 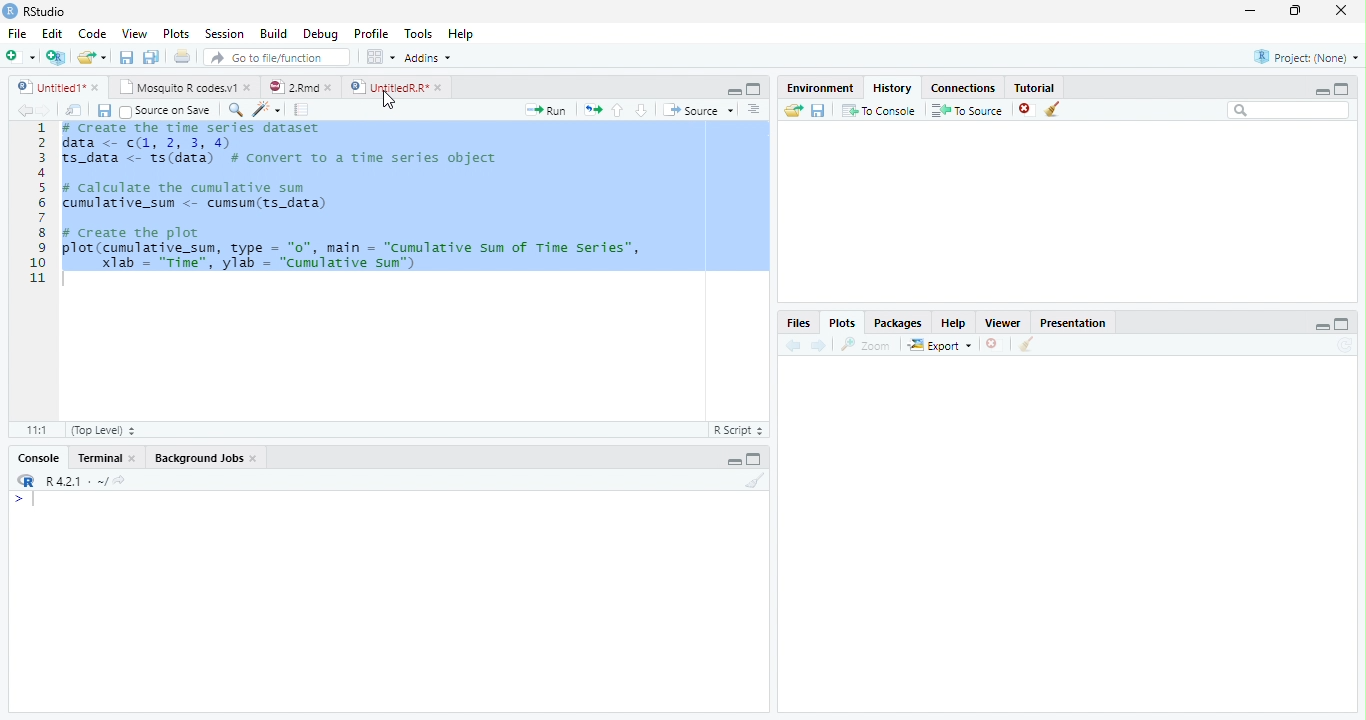 I want to click on # Create the time series dataset data <- (1, 2, 3, 4)S_data <- ts(data) # convert to a time series objectcalculate the cumulative sumumulative_sum <- cumsum(ts_data)create the plotlot (cumulative_sum, type = "0", main = "Cumulative sum of Time Series”,Xlab = "Time", ylab = "cumulative sun"), so click(x=362, y=205).